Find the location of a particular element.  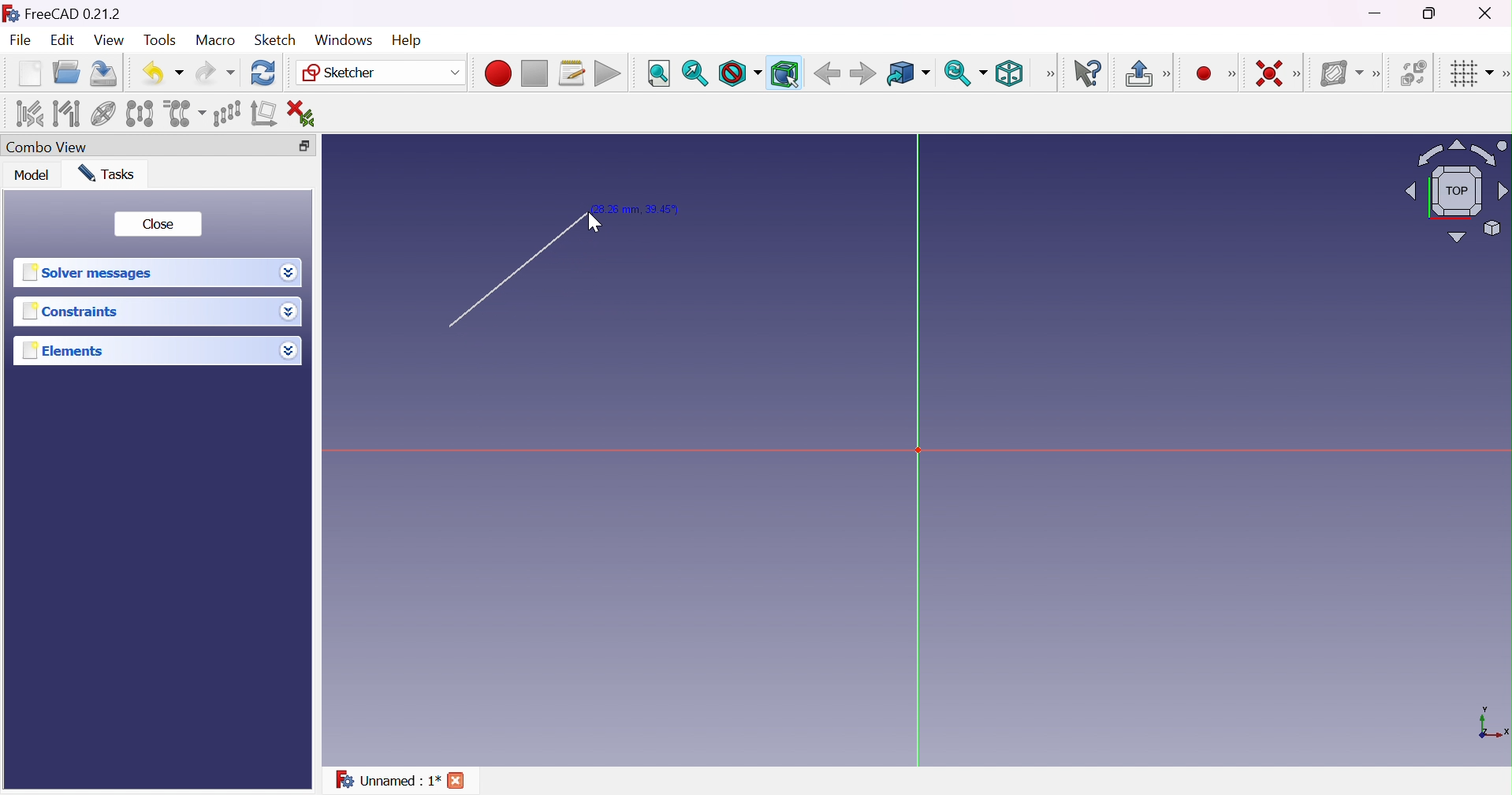

Forward is located at coordinates (863, 75).